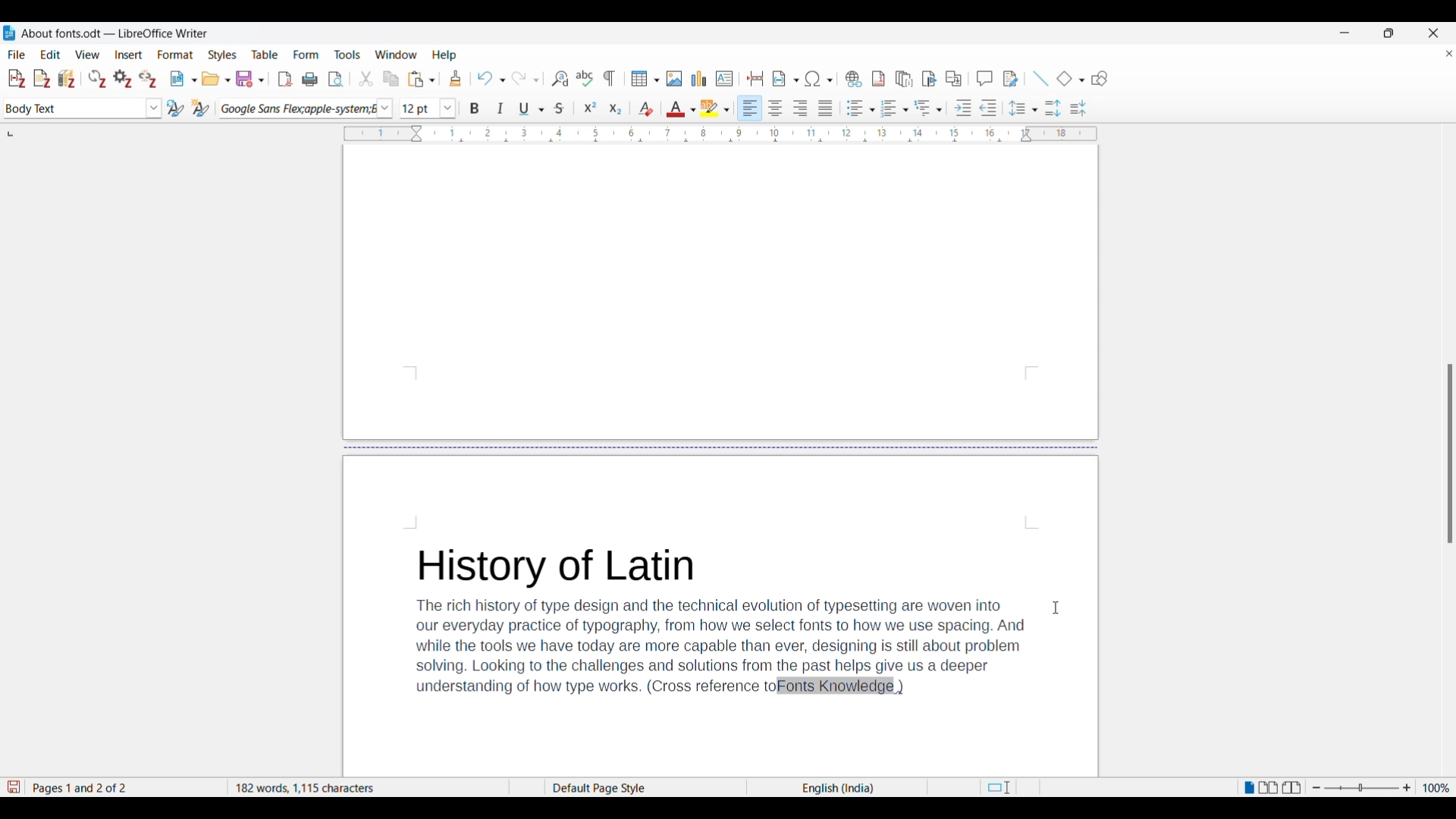 This screenshot has height=819, width=1456. What do you see at coordinates (98, 79) in the screenshot?
I see `Refresh` at bounding box center [98, 79].